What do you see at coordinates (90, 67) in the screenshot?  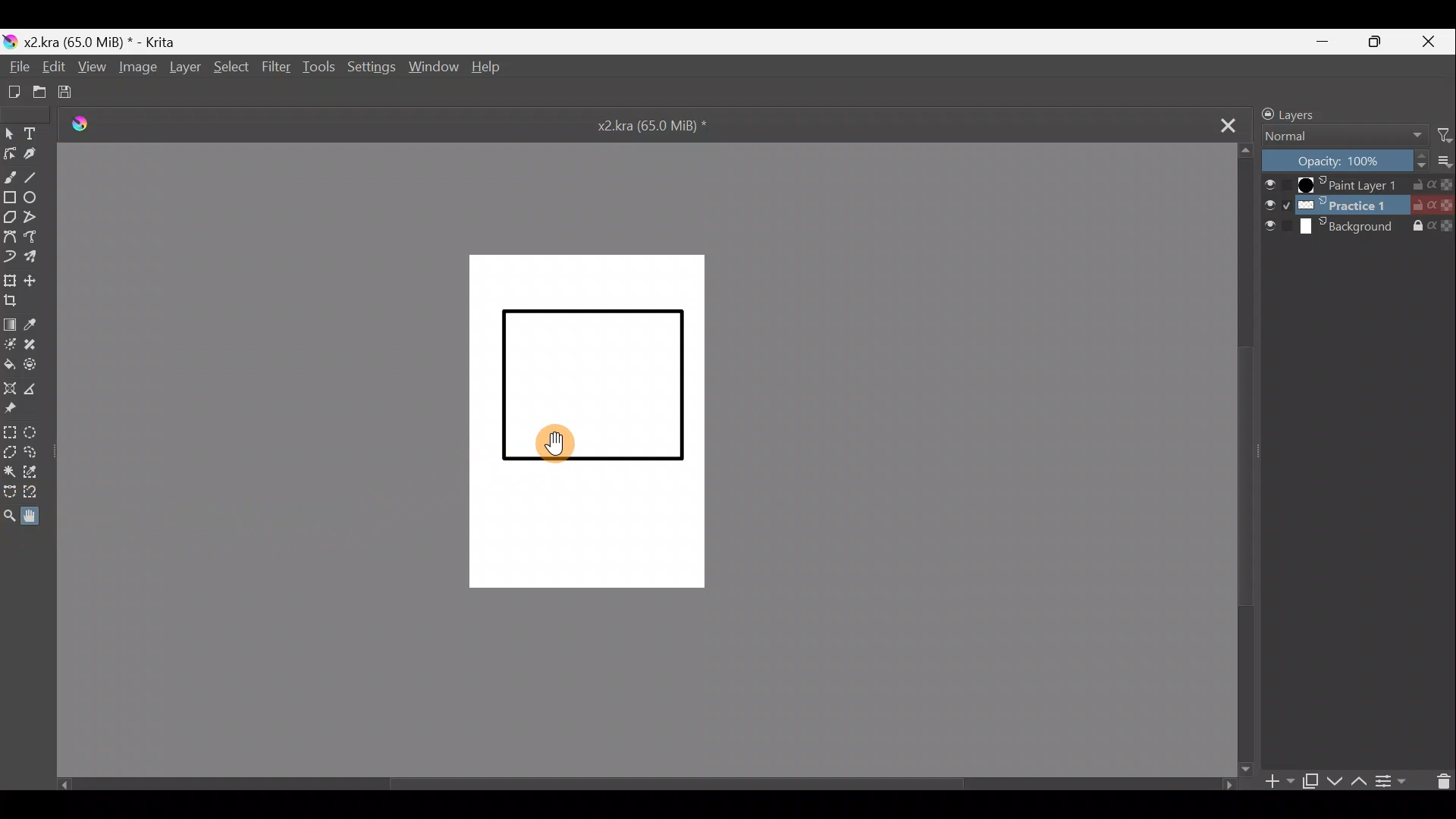 I see `View` at bounding box center [90, 67].